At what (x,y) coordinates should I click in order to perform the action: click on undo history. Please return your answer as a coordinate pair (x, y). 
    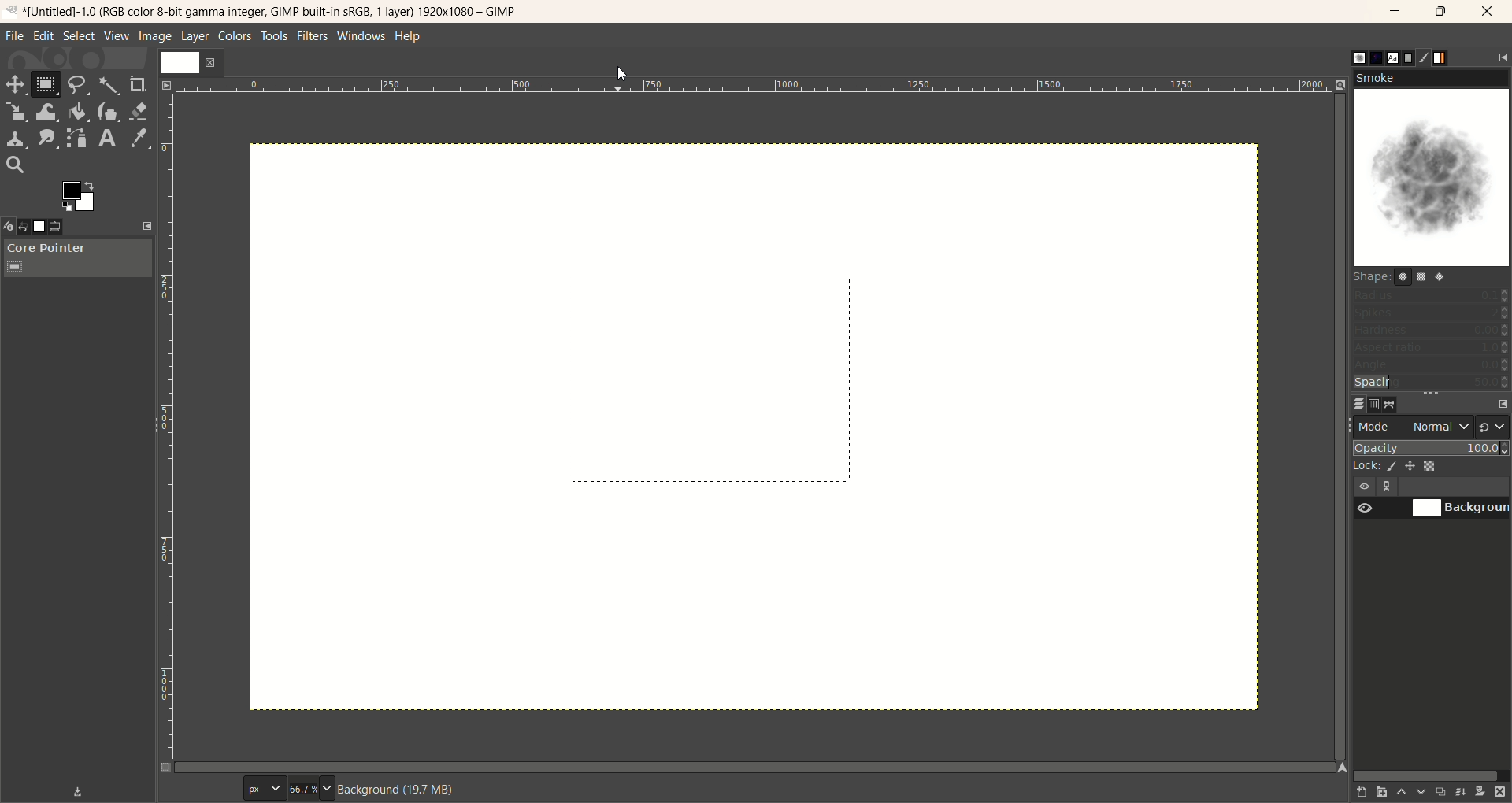
    Looking at the image, I should click on (22, 228).